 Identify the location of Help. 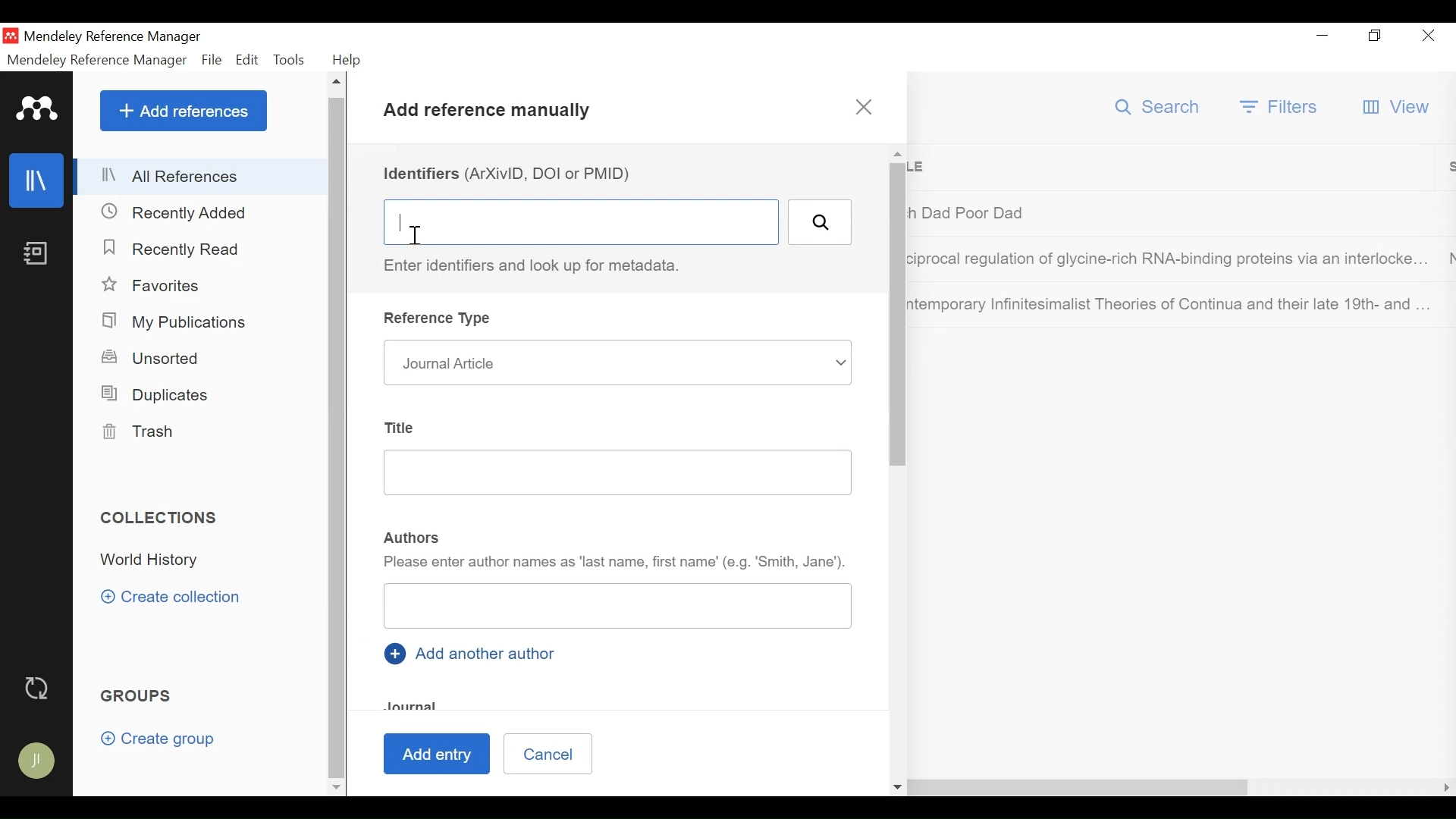
(347, 60).